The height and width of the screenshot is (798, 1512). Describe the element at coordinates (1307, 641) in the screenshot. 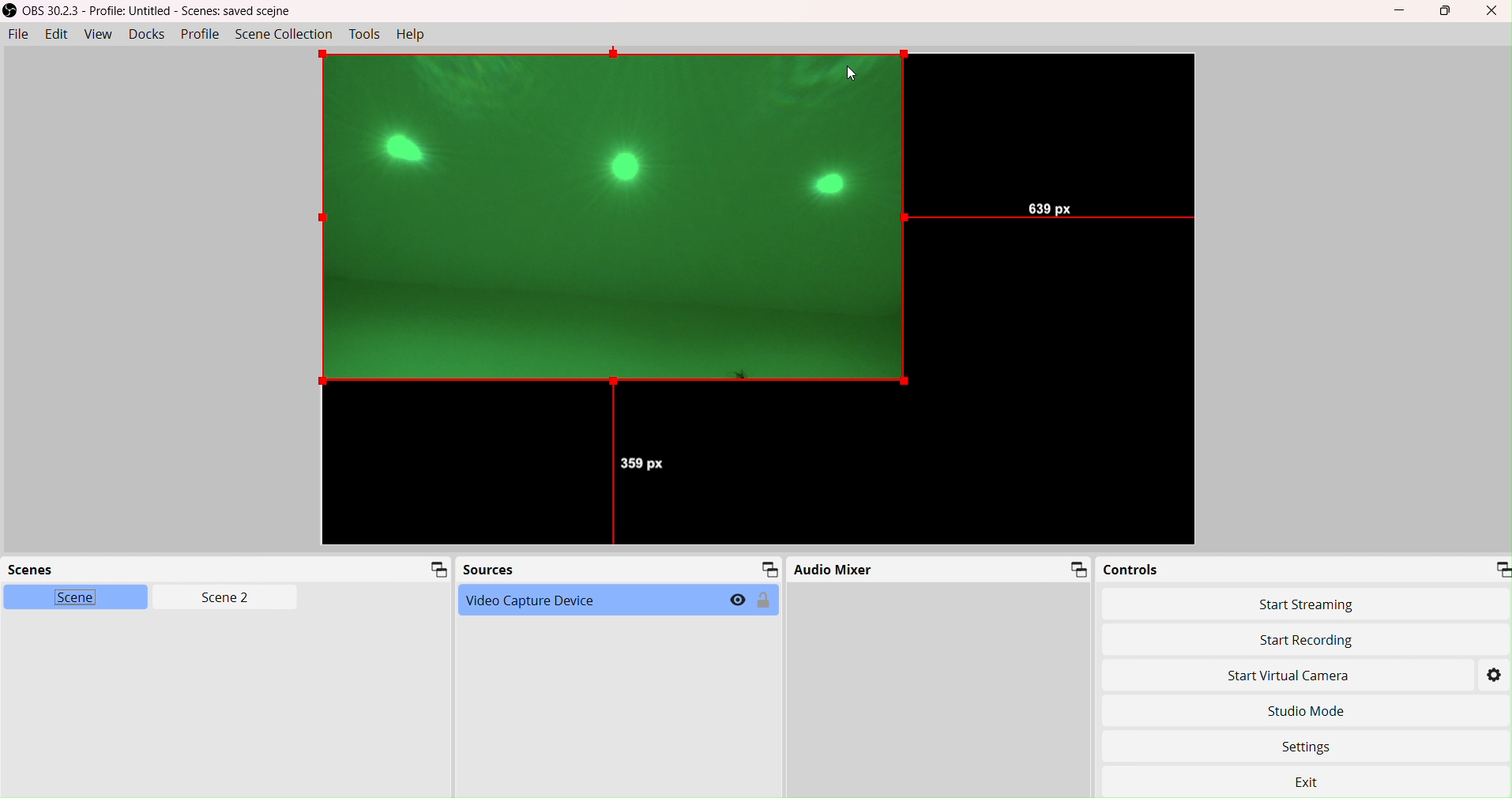

I see `Start Recording` at that location.